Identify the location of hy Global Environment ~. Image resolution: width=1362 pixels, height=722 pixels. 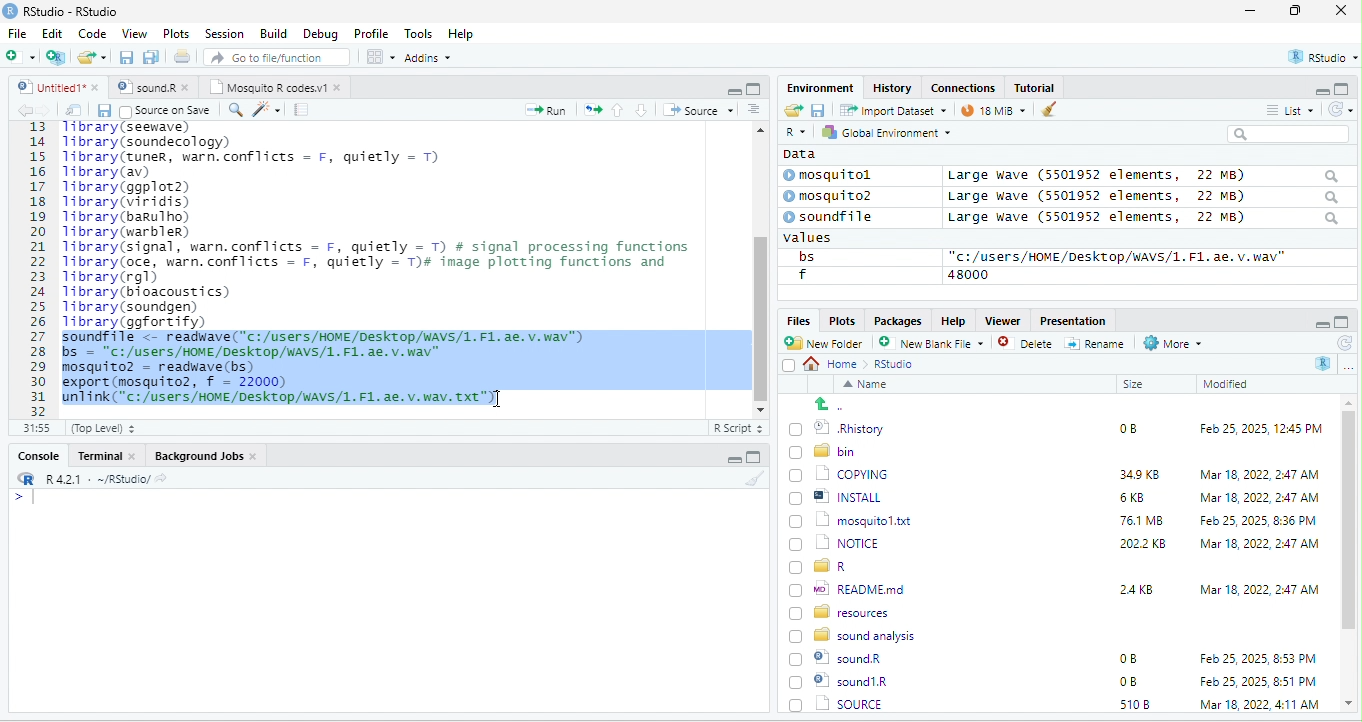
(881, 132).